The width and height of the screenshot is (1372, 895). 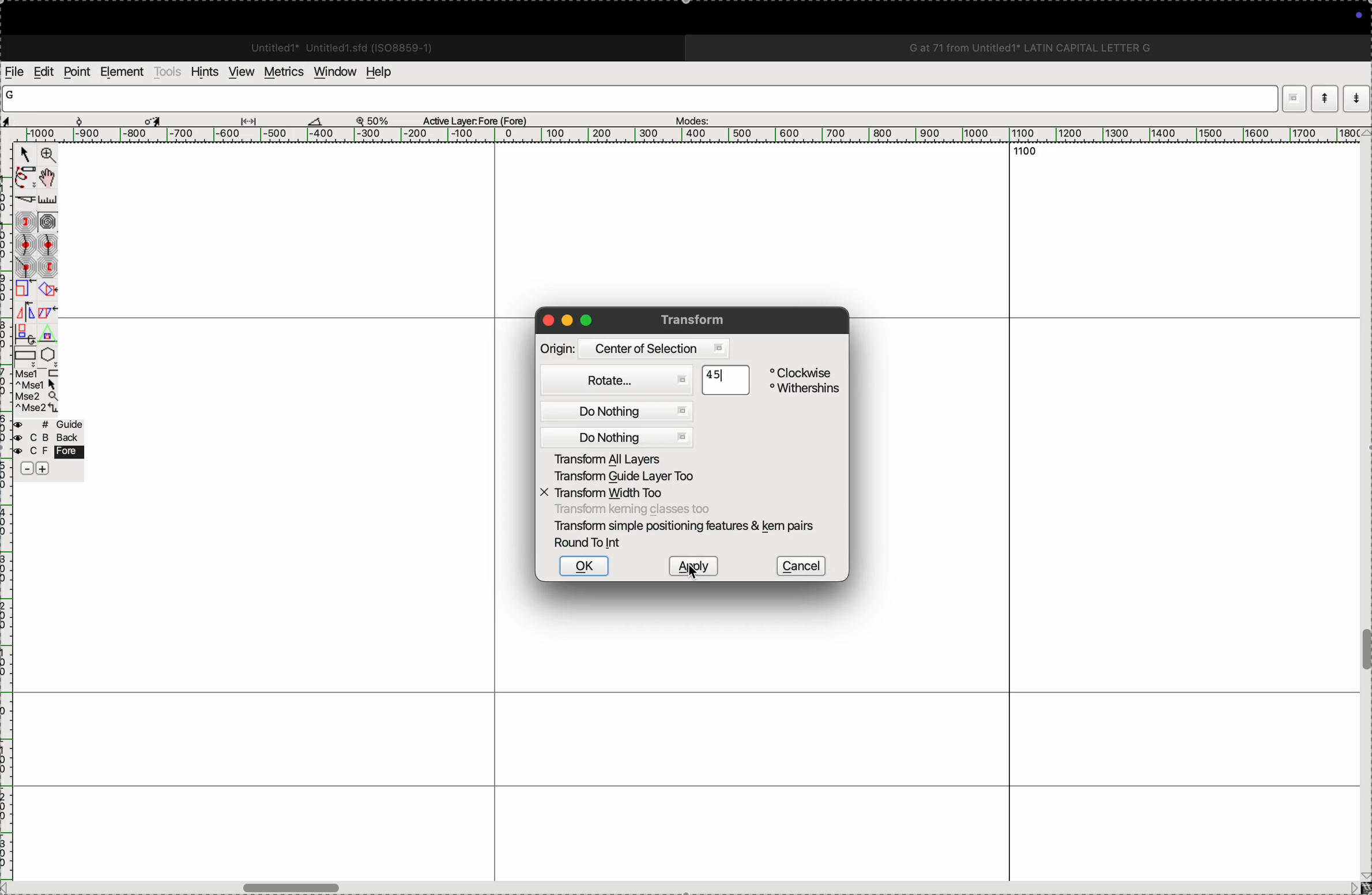 I want to click on ruler, so click(x=8, y=689).